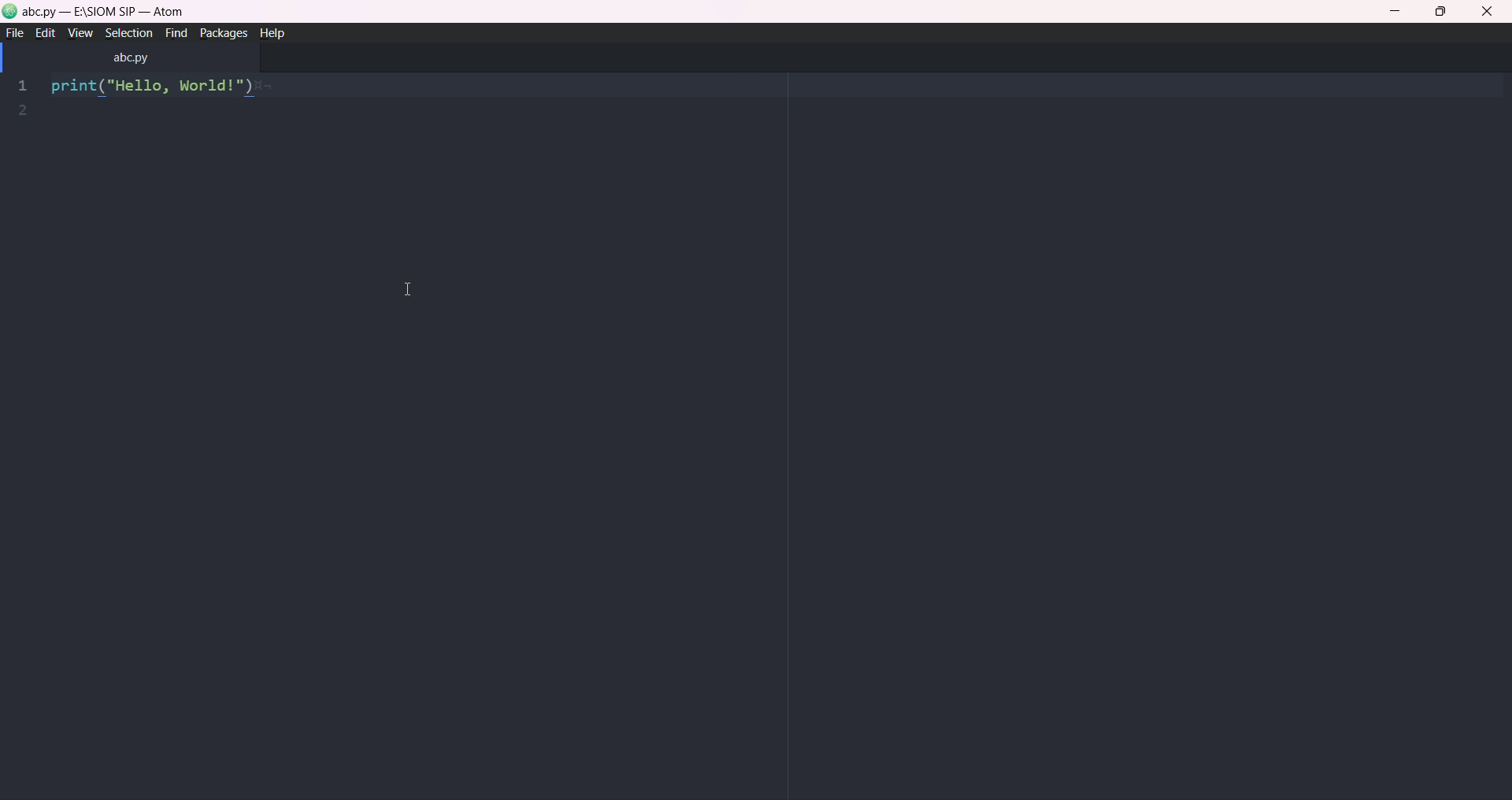 Image resolution: width=1512 pixels, height=800 pixels. I want to click on minimize, so click(1392, 9).